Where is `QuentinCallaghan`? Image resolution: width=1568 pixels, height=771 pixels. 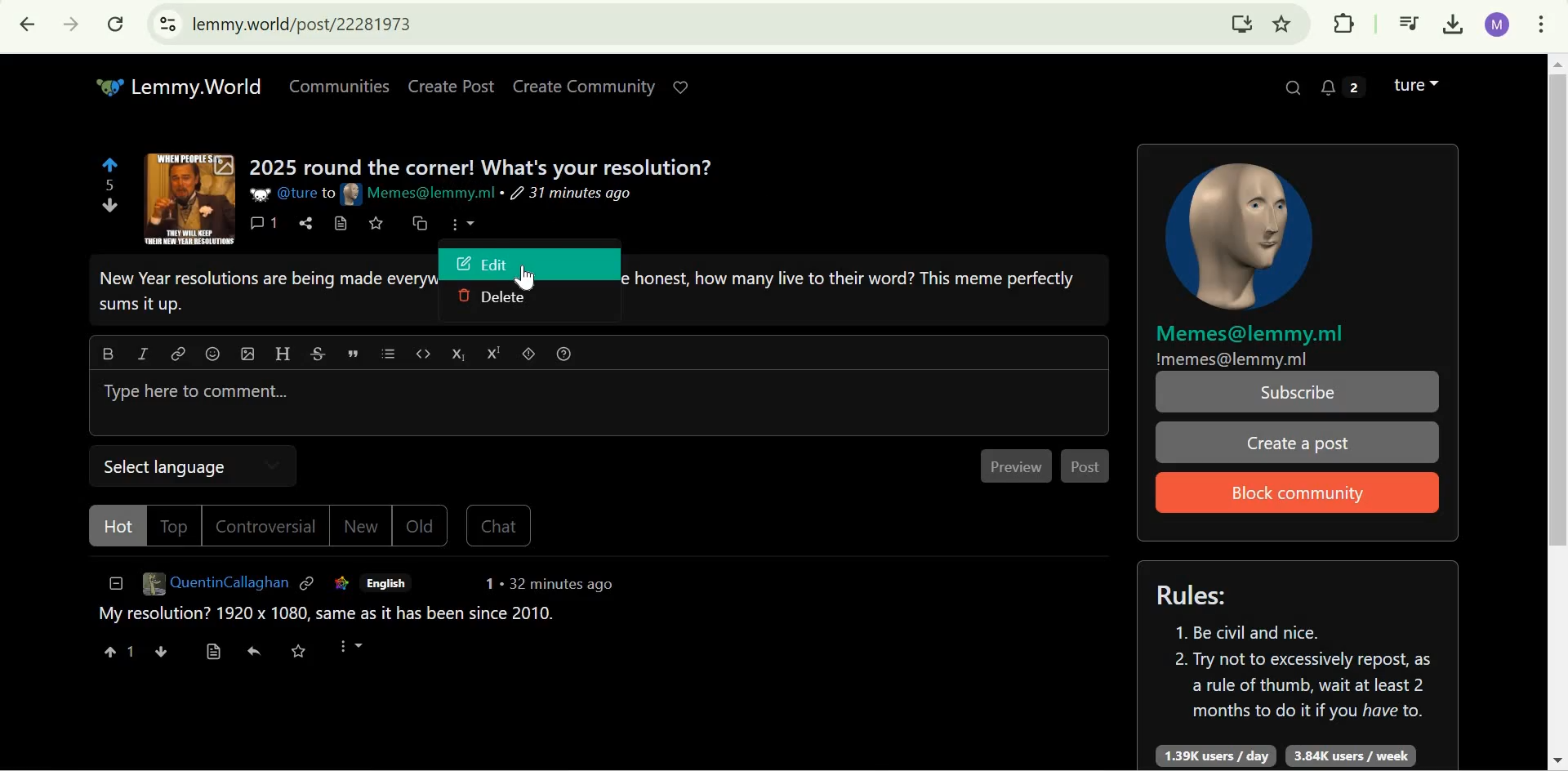
QuentinCallaghan is located at coordinates (216, 582).